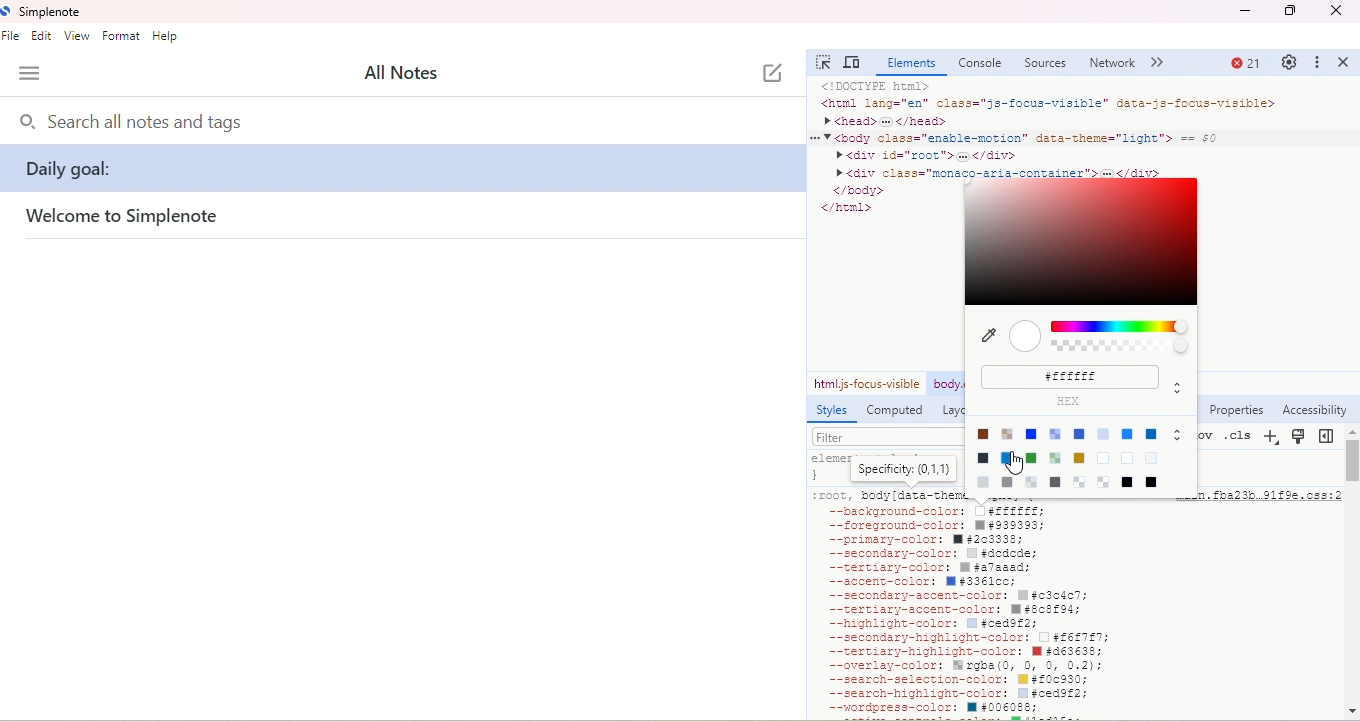 The image size is (1360, 722). I want to click on secondary-color, so click(927, 554).